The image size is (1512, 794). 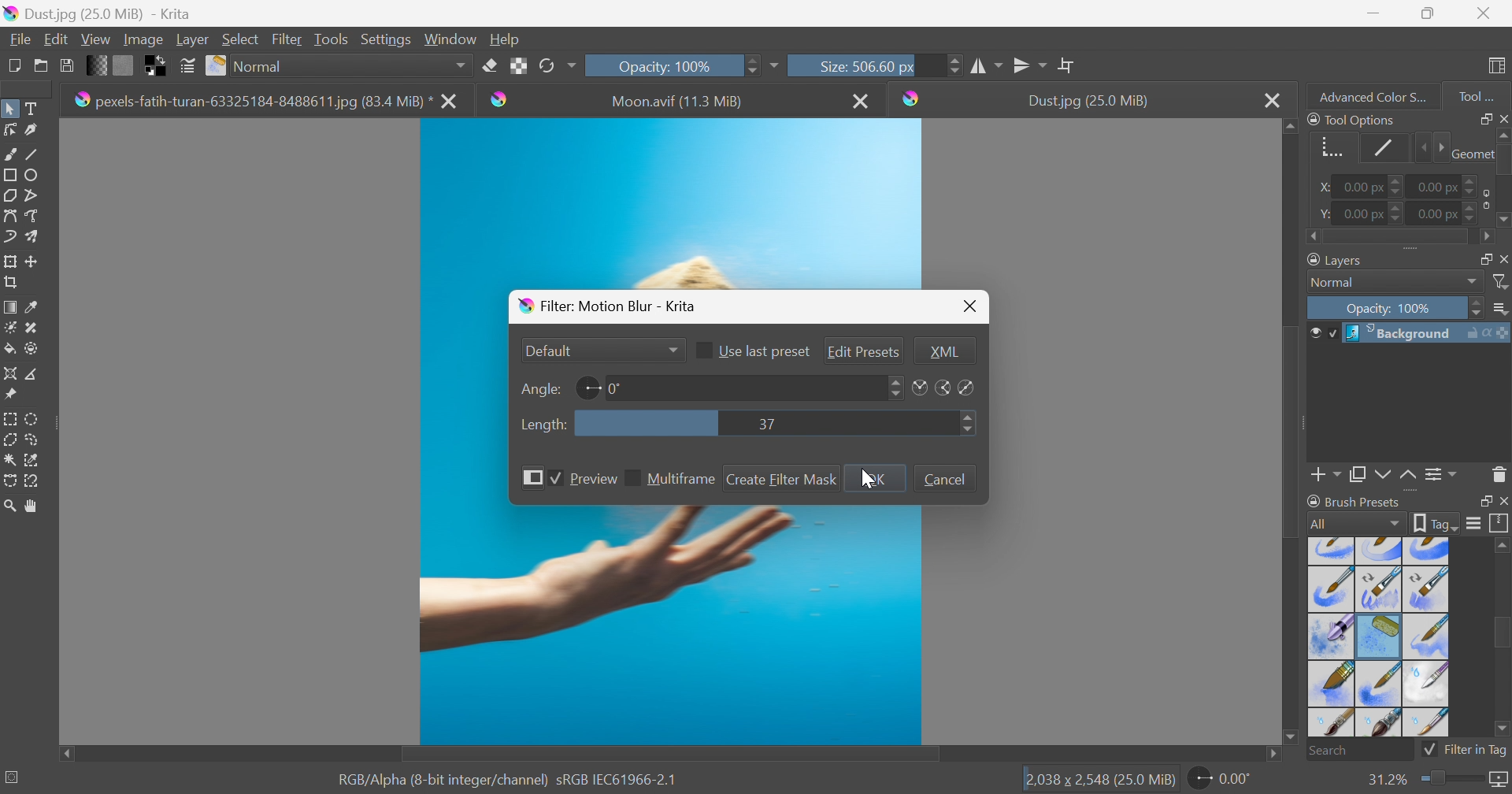 What do you see at coordinates (36, 131) in the screenshot?
I see `Calligraphy` at bounding box center [36, 131].